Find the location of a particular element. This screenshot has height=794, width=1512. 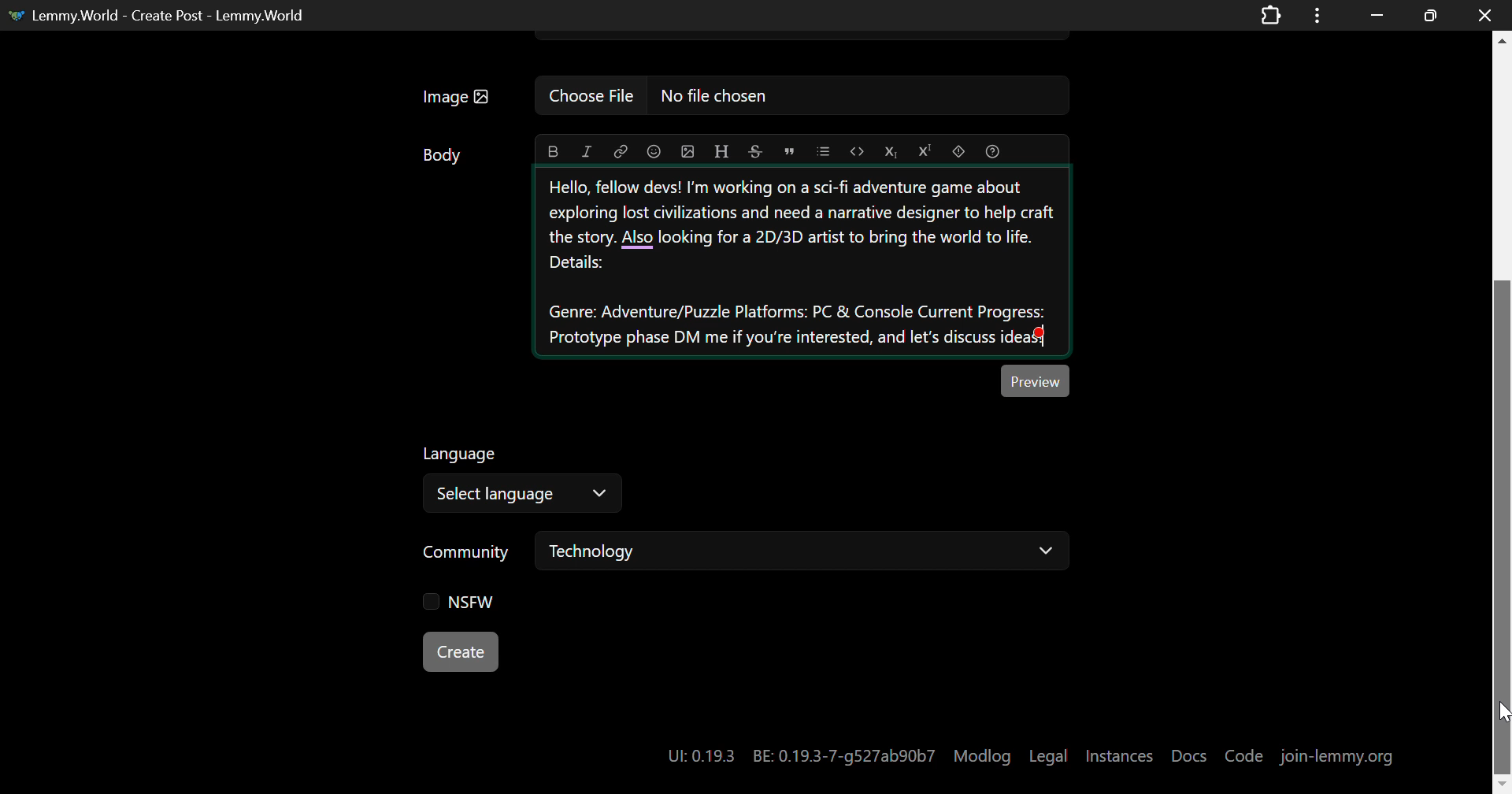

link is located at coordinates (621, 151).